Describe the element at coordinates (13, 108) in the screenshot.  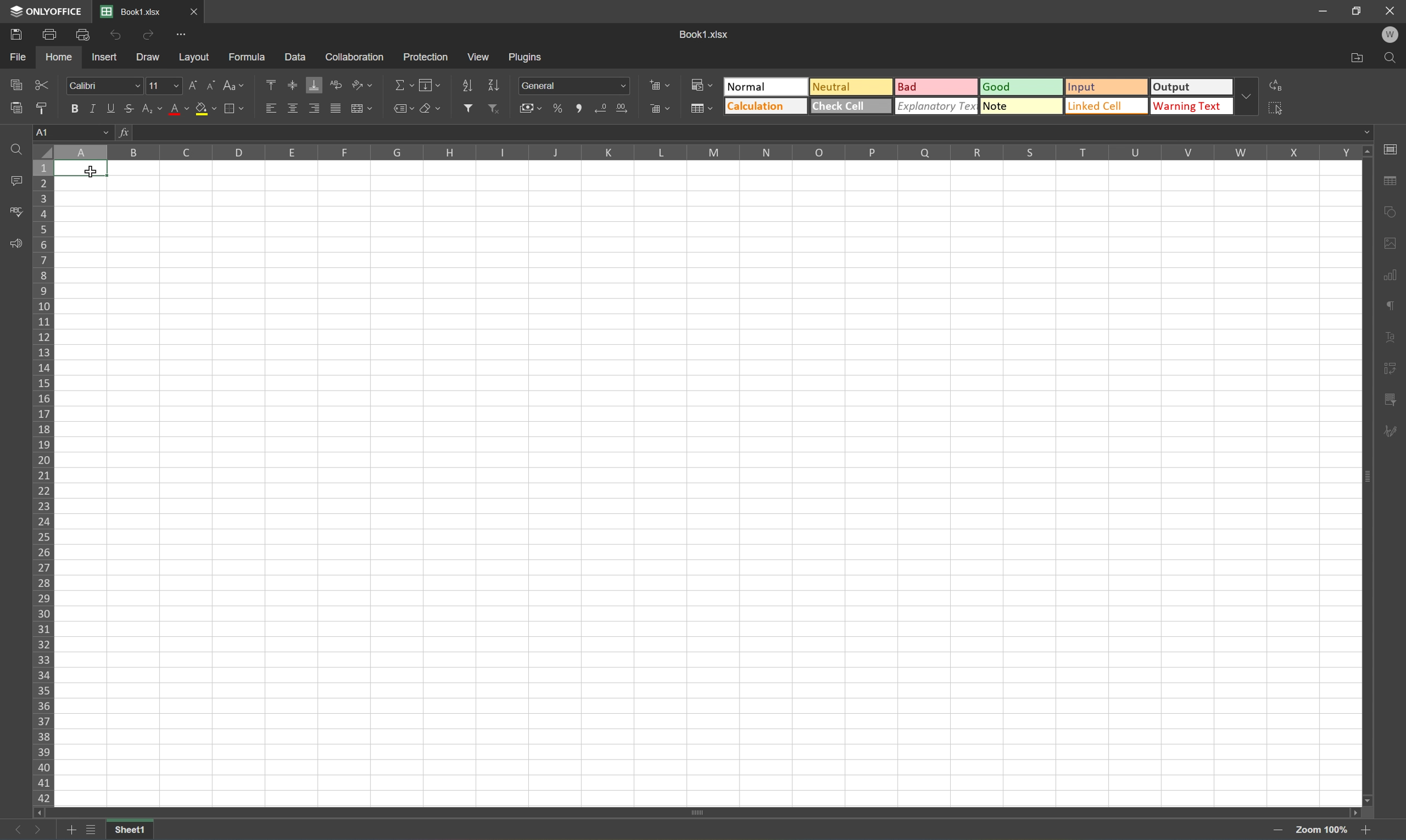
I see `Paste` at that location.